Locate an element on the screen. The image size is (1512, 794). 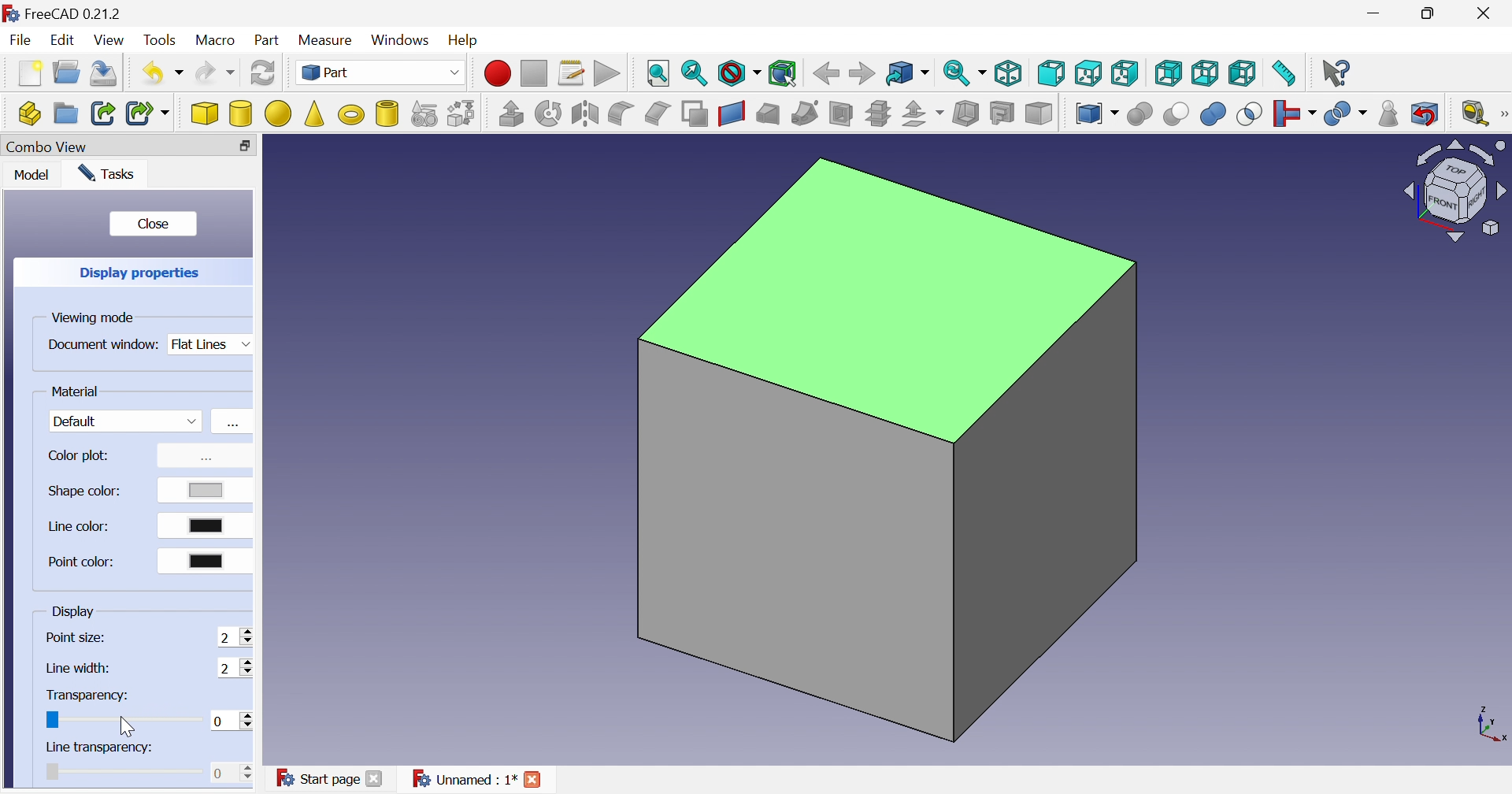
Undo is located at coordinates (163, 72).